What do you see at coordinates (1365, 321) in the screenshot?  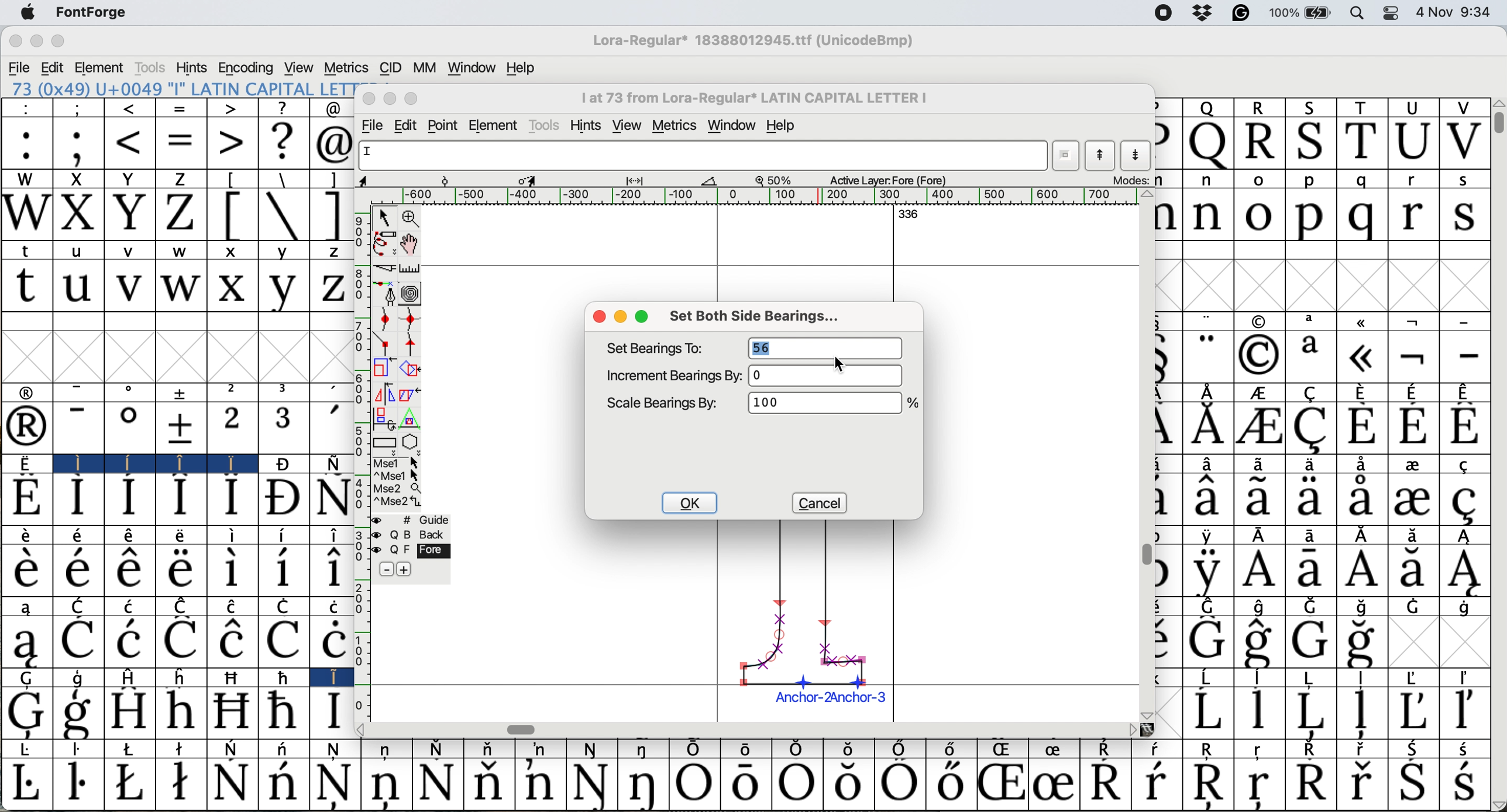 I see `symbol` at bounding box center [1365, 321].